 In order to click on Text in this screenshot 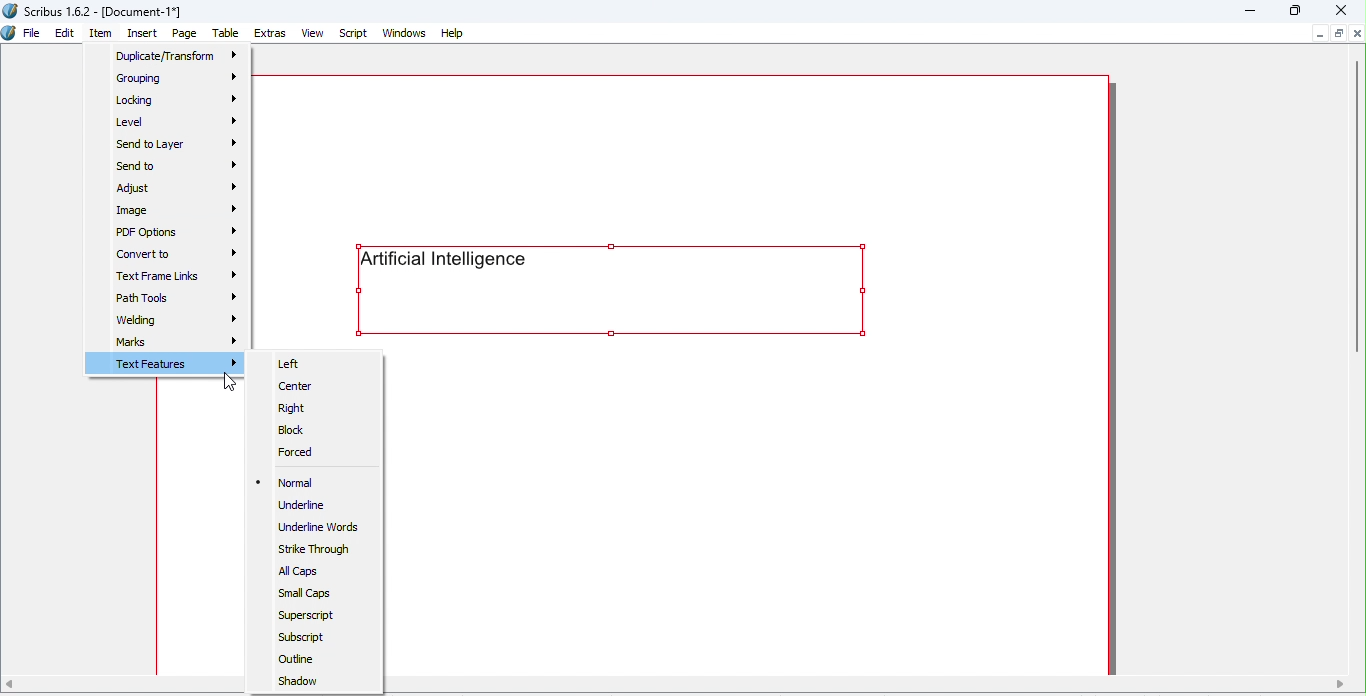, I will do `click(612, 289)`.